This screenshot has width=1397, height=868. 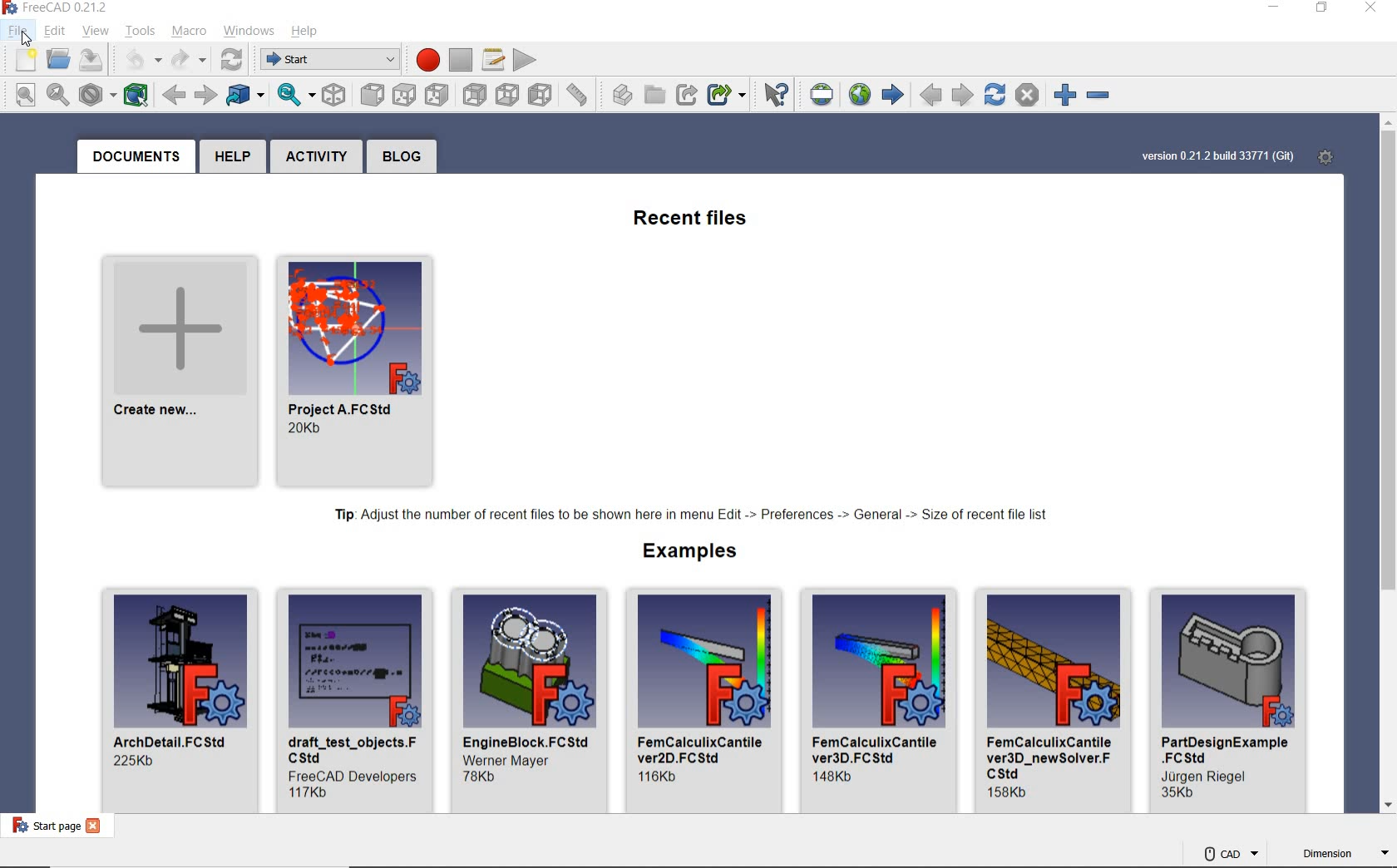 I want to click on NEW, so click(x=20, y=60).